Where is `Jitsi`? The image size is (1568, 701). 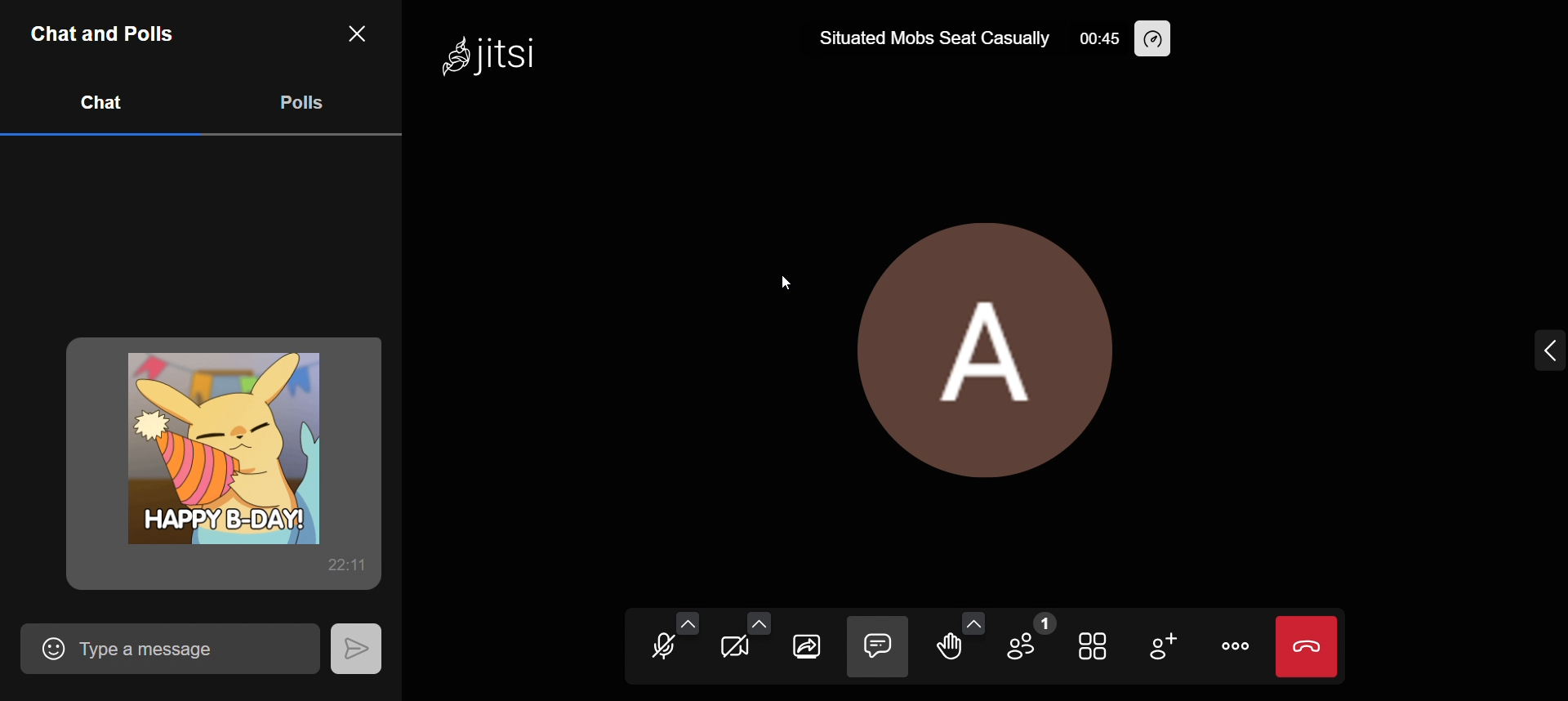
Jitsi is located at coordinates (493, 52).